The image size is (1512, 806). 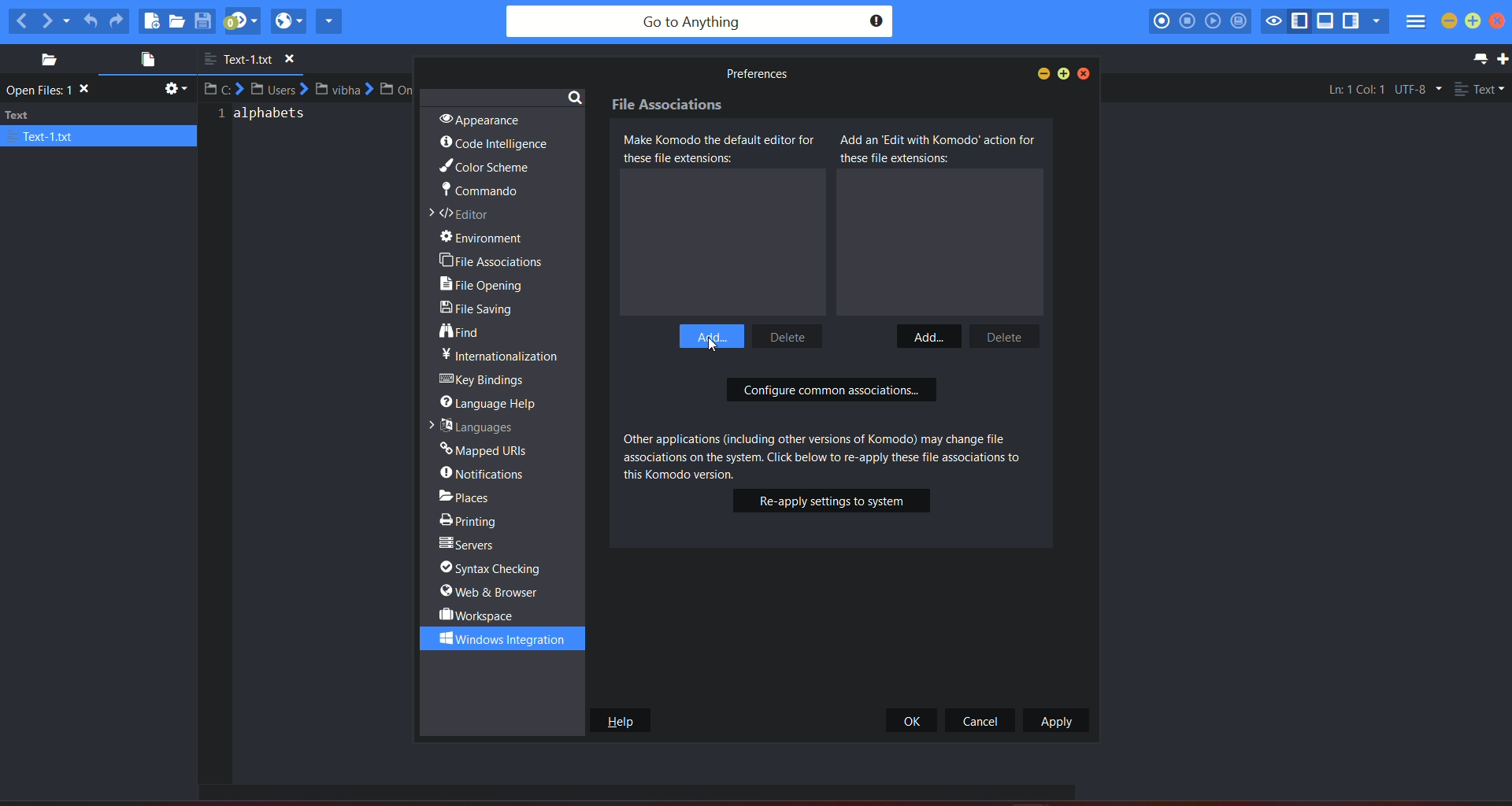 What do you see at coordinates (1055, 721) in the screenshot?
I see `apply` at bounding box center [1055, 721].